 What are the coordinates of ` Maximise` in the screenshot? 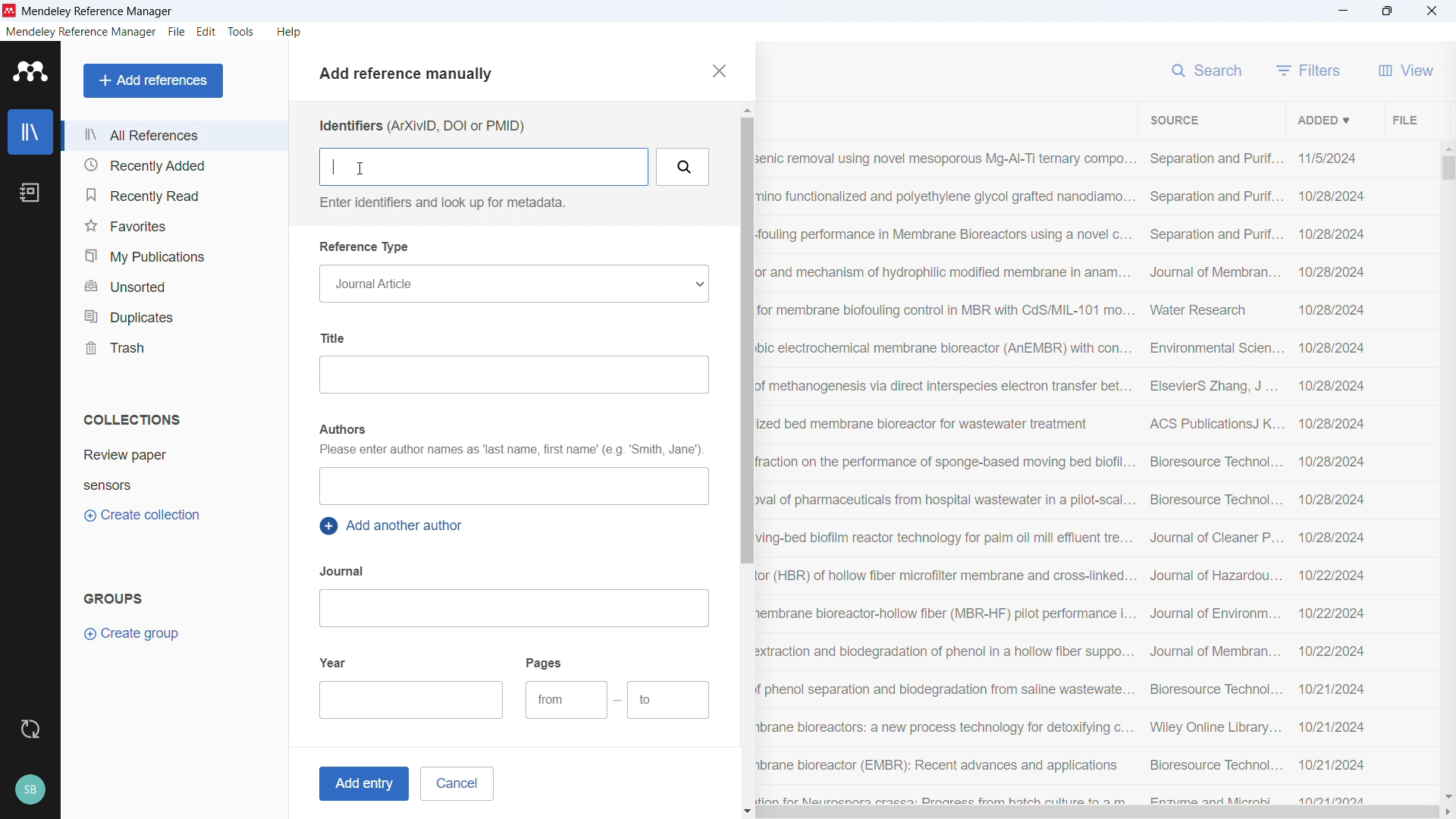 It's located at (1388, 11).